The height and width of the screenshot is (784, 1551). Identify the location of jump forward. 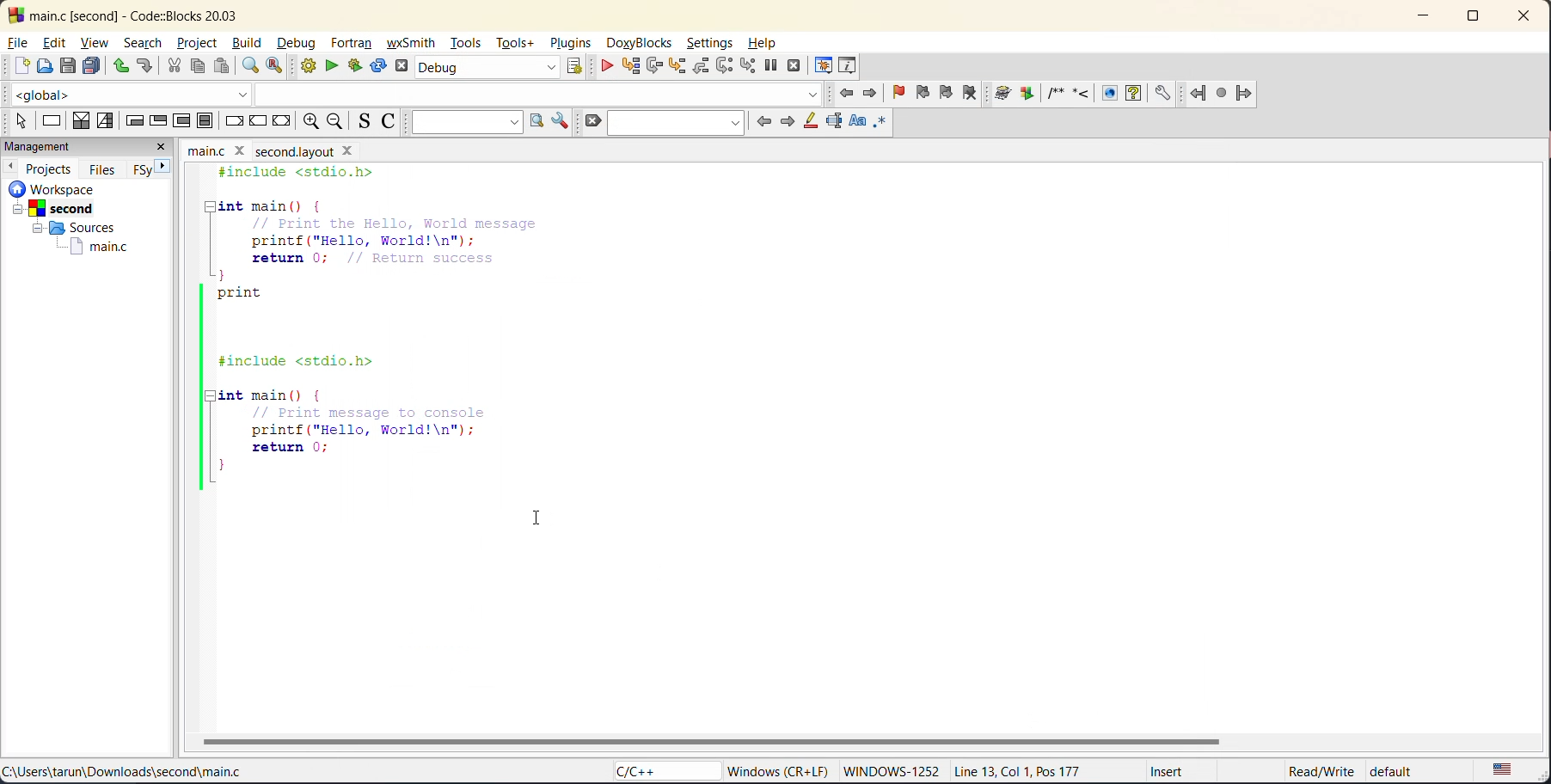
(1248, 94).